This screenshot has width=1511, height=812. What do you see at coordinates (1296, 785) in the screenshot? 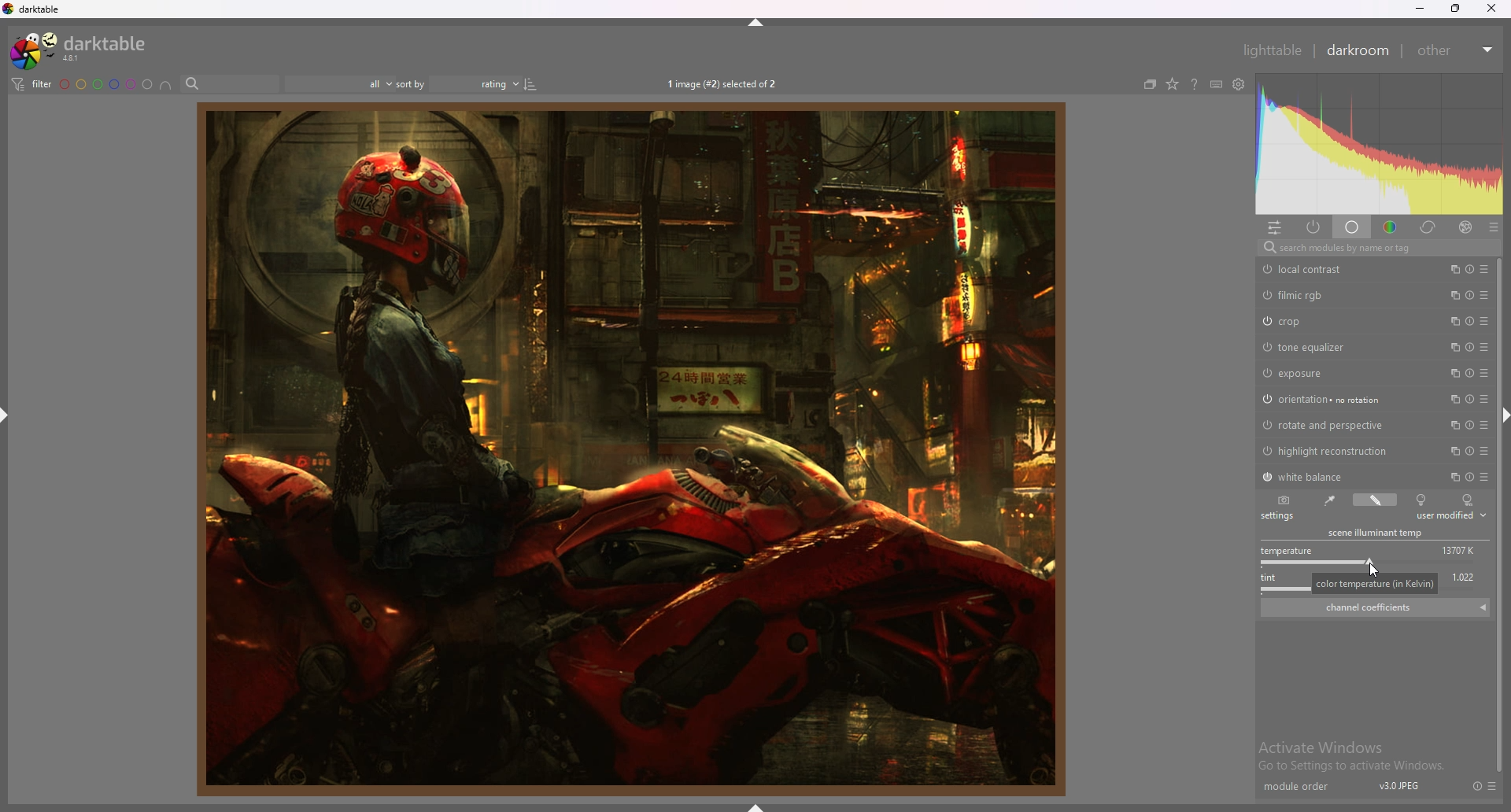
I see `module order` at bounding box center [1296, 785].